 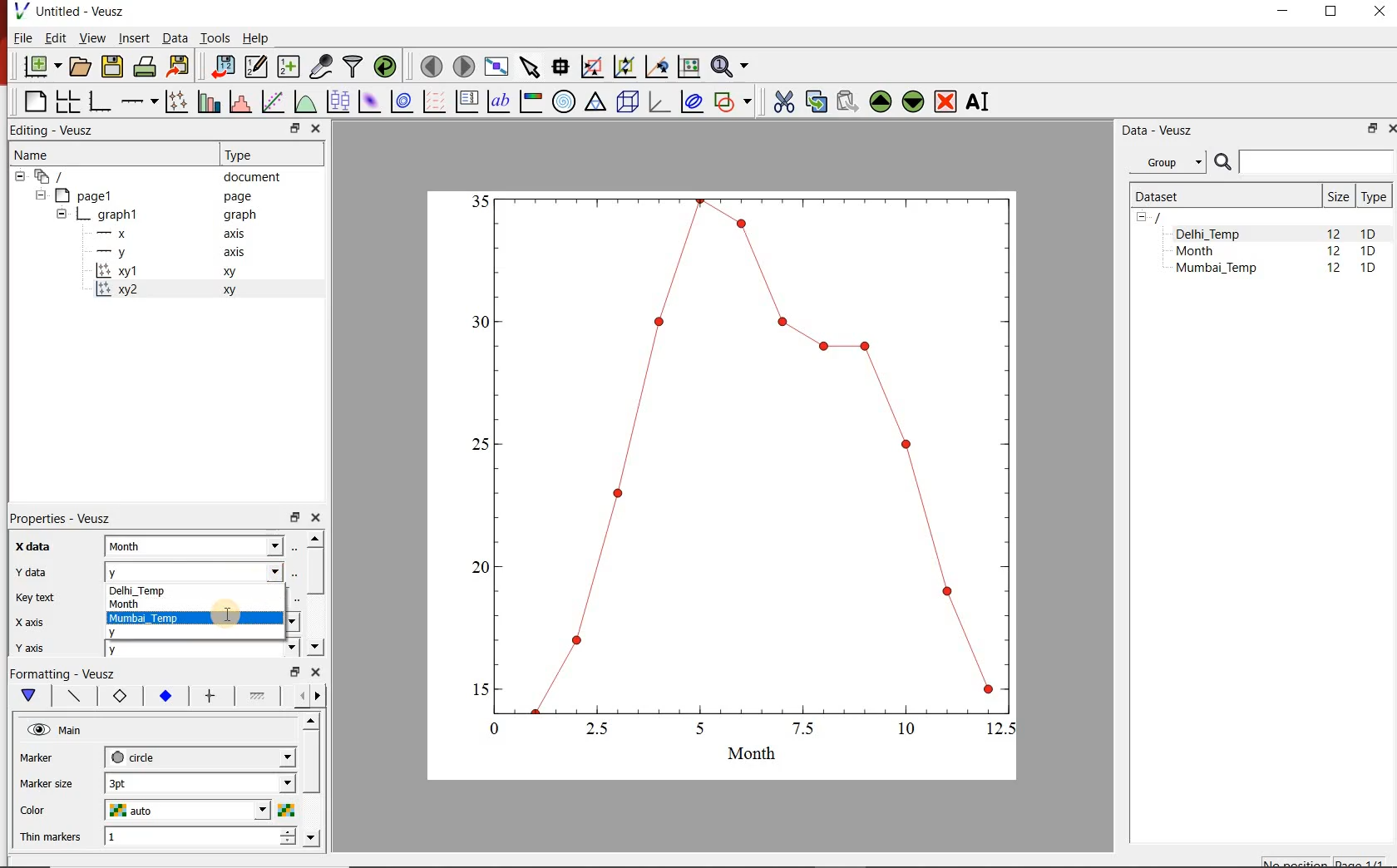 What do you see at coordinates (371, 101) in the screenshot?
I see `plot a 2d dataset as an image` at bounding box center [371, 101].